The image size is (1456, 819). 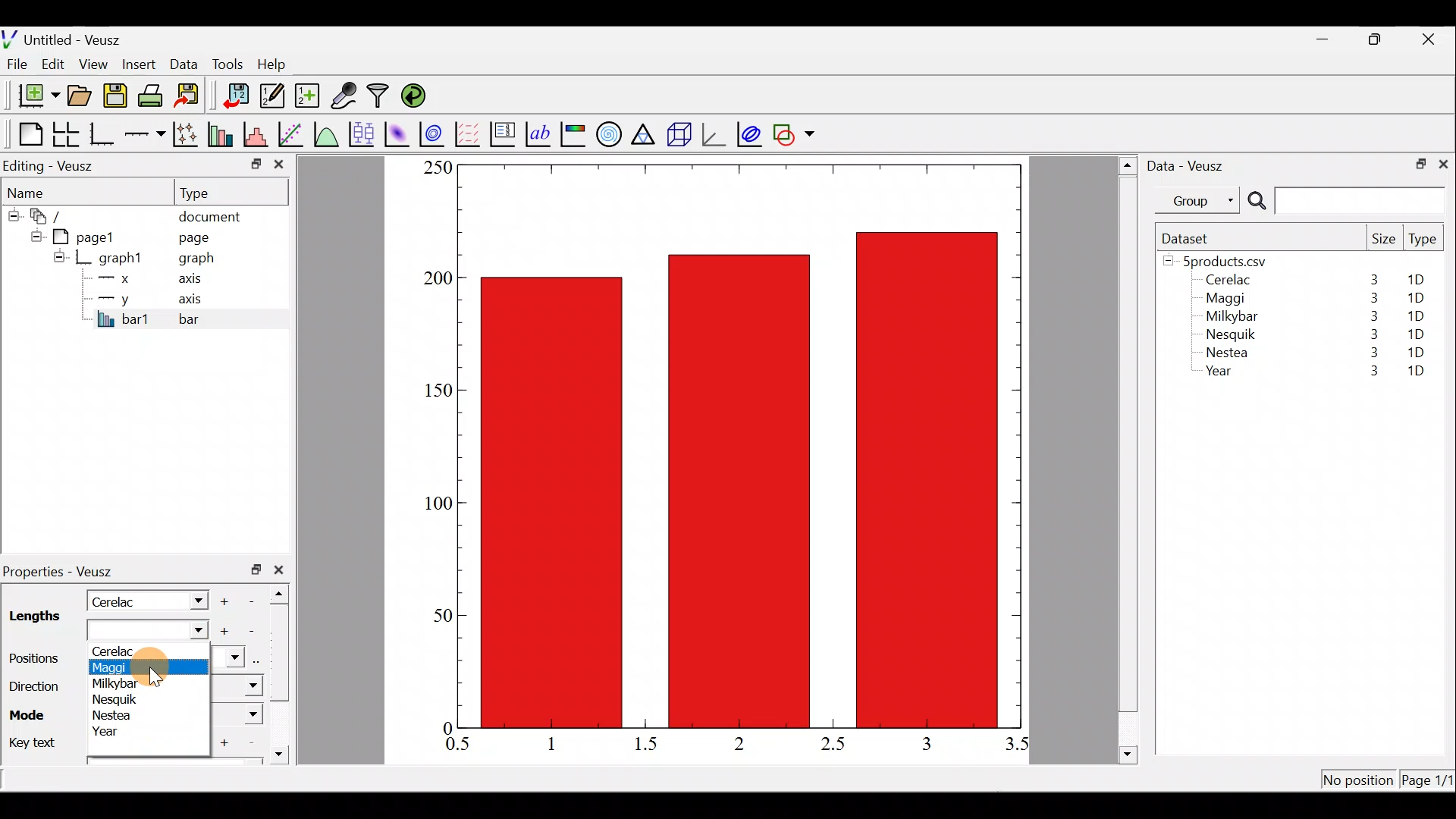 I want to click on bar chart inserted, so click(x=741, y=444).